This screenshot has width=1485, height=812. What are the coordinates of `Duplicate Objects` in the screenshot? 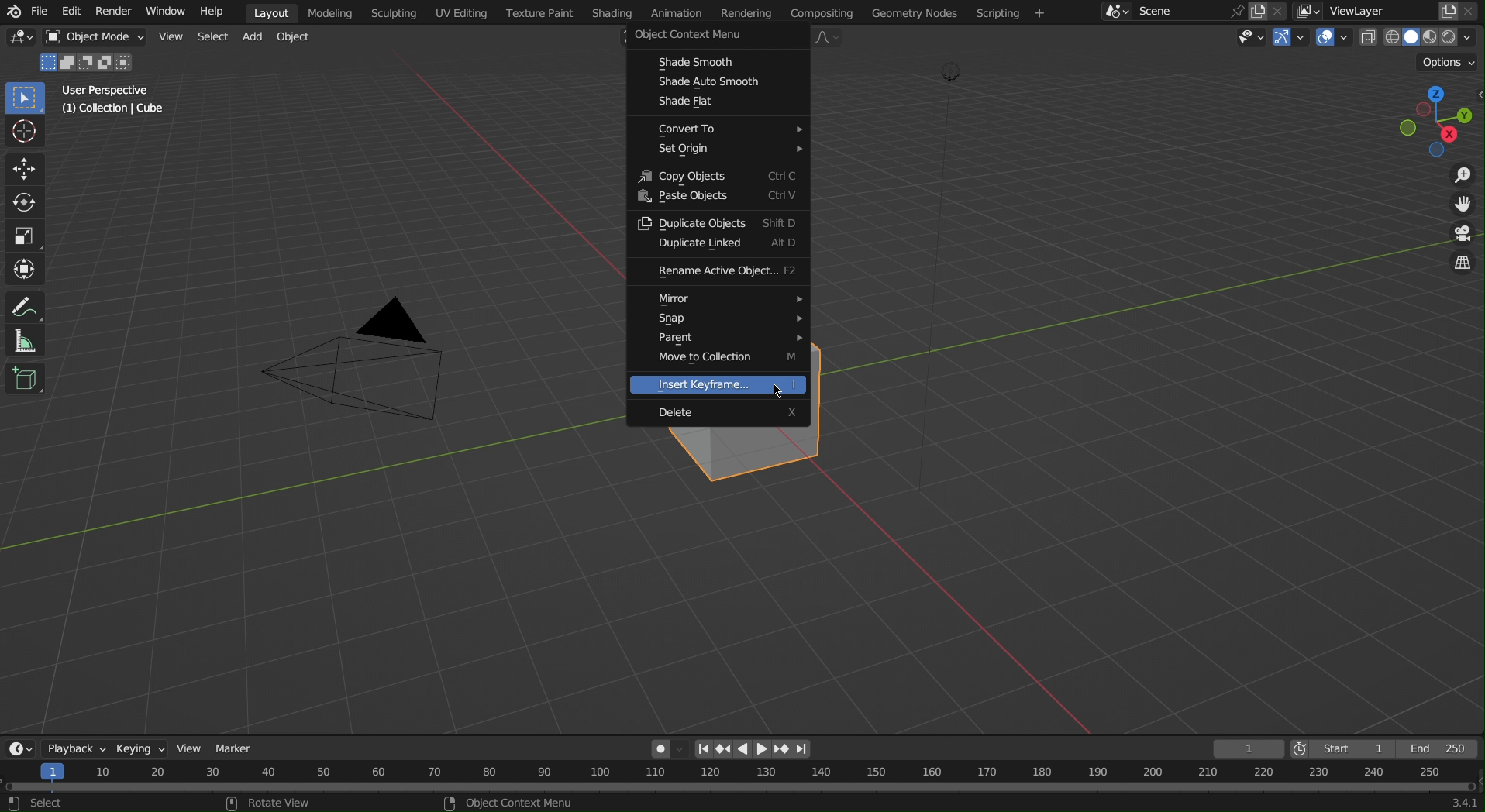 It's located at (718, 220).